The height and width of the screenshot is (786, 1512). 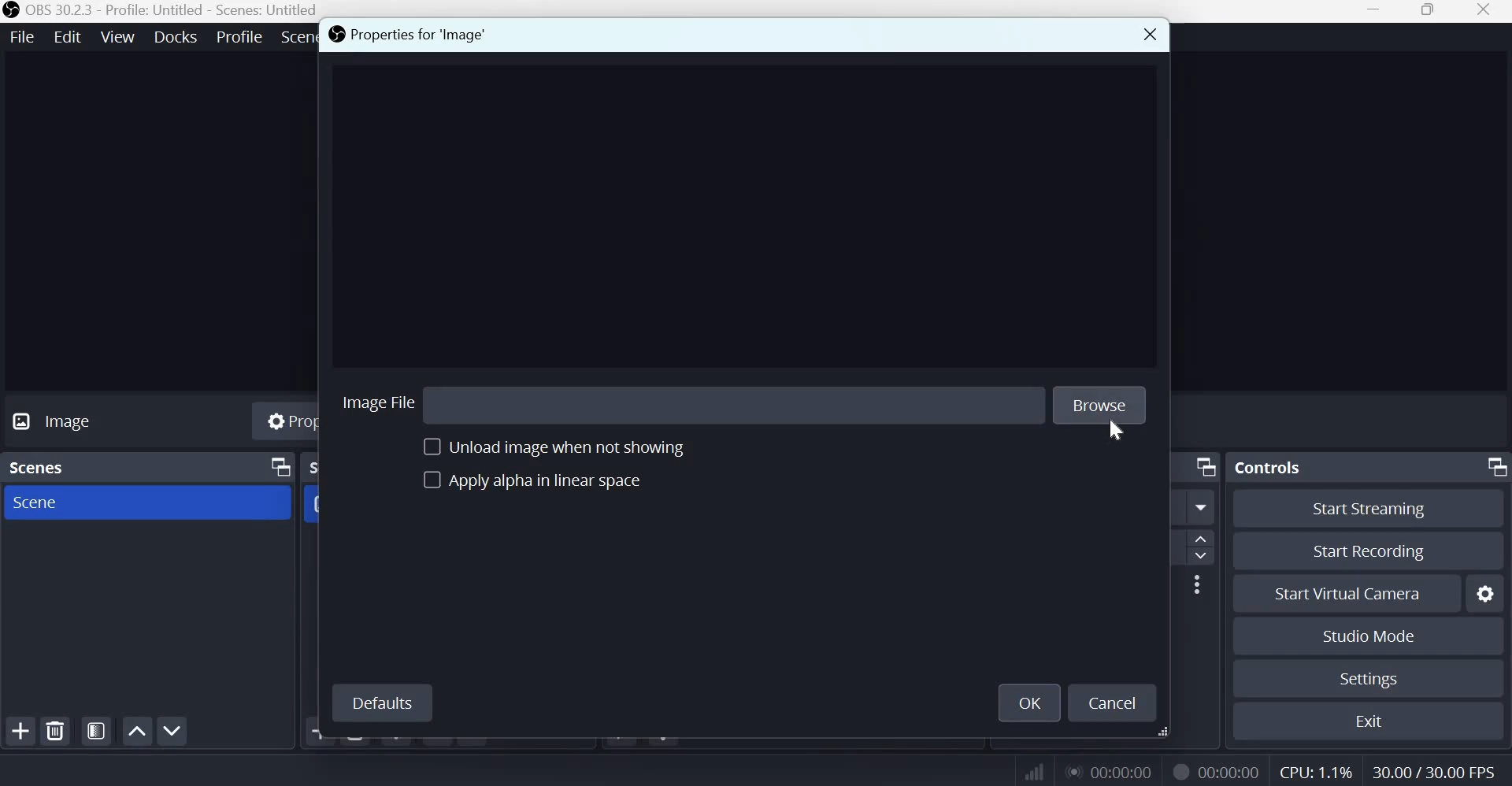 I want to click on Settings, so click(x=1369, y=679).